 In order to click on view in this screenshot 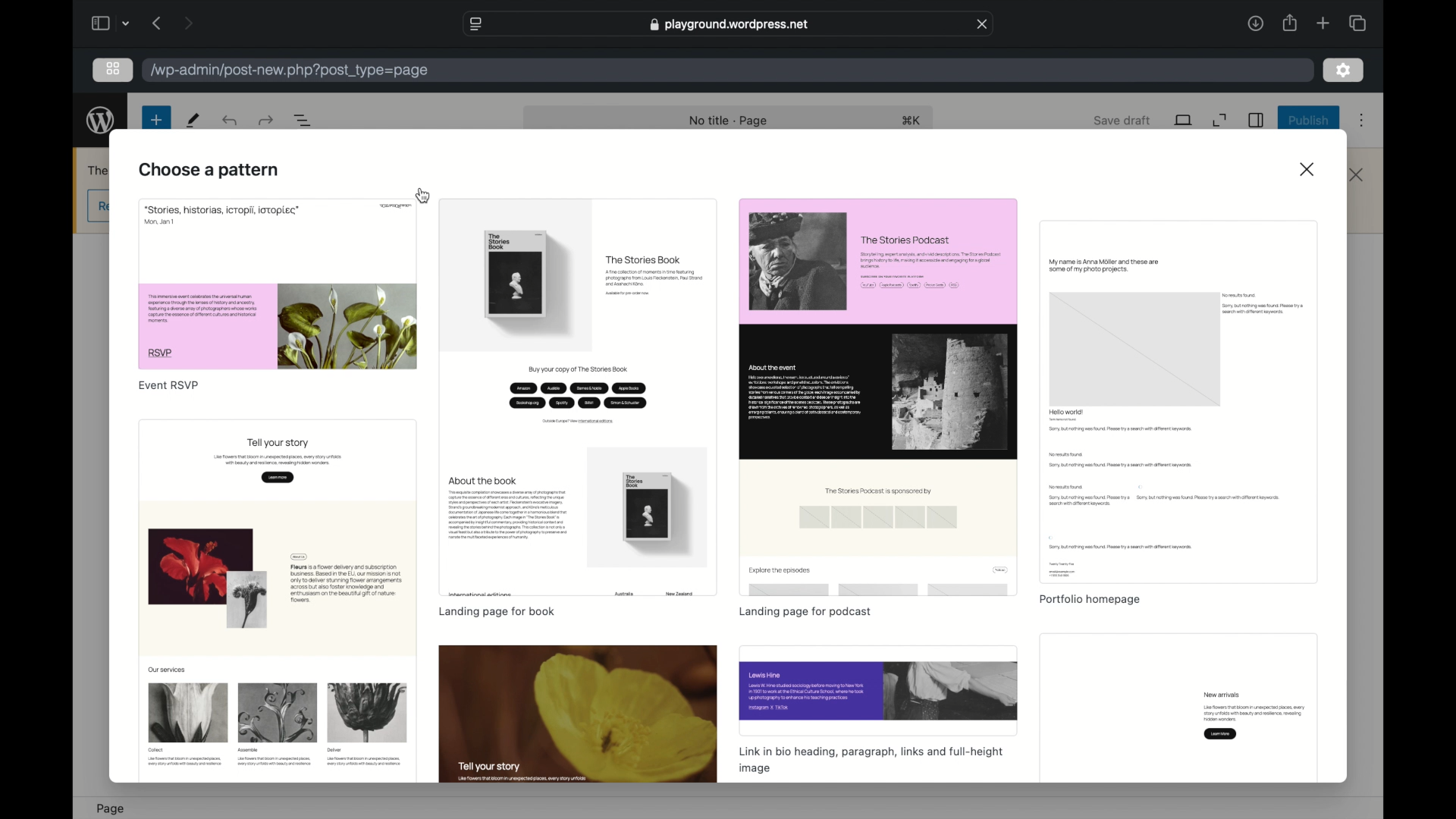, I will do `click(1185, 120)`.